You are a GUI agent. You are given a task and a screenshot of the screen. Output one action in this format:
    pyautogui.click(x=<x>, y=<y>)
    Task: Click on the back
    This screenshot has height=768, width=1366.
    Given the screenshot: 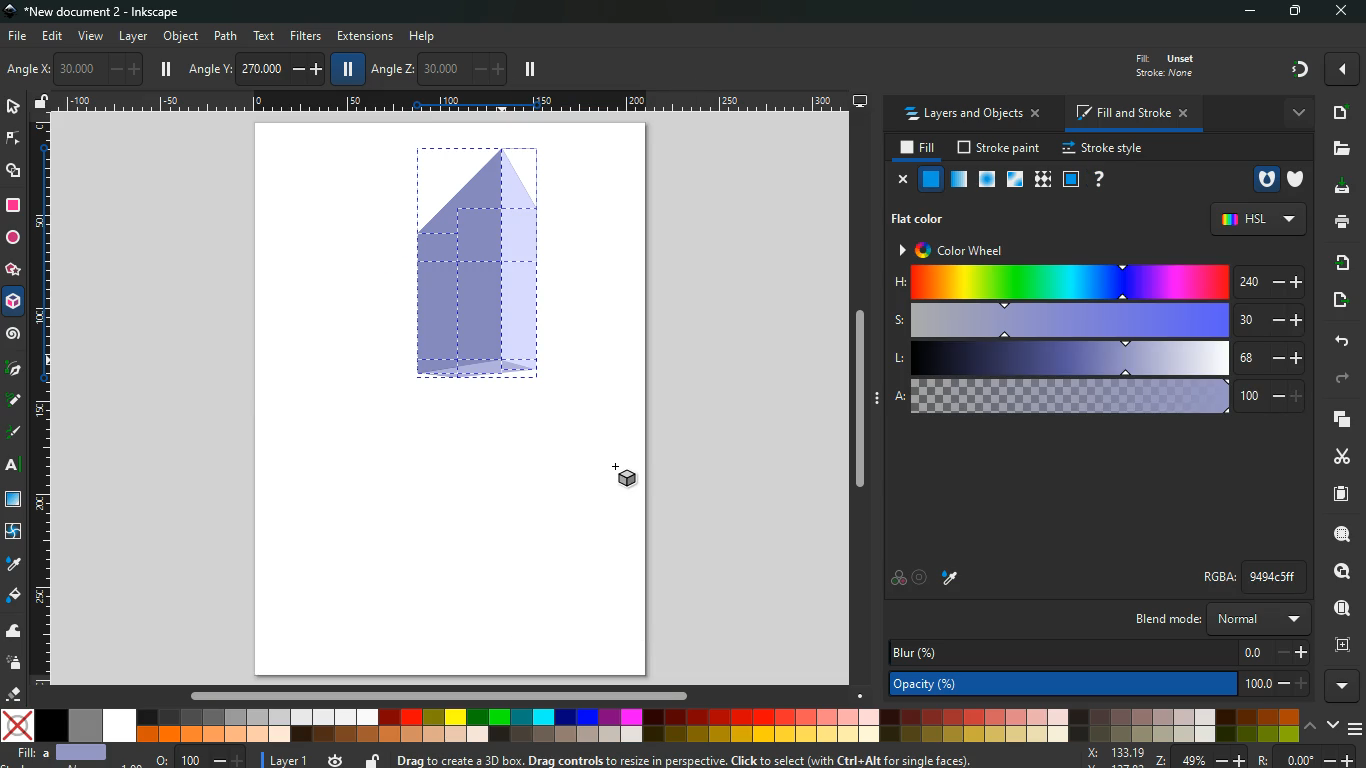 What is the action you would take?
    pyautogui.click(x=1338, y=341)
    